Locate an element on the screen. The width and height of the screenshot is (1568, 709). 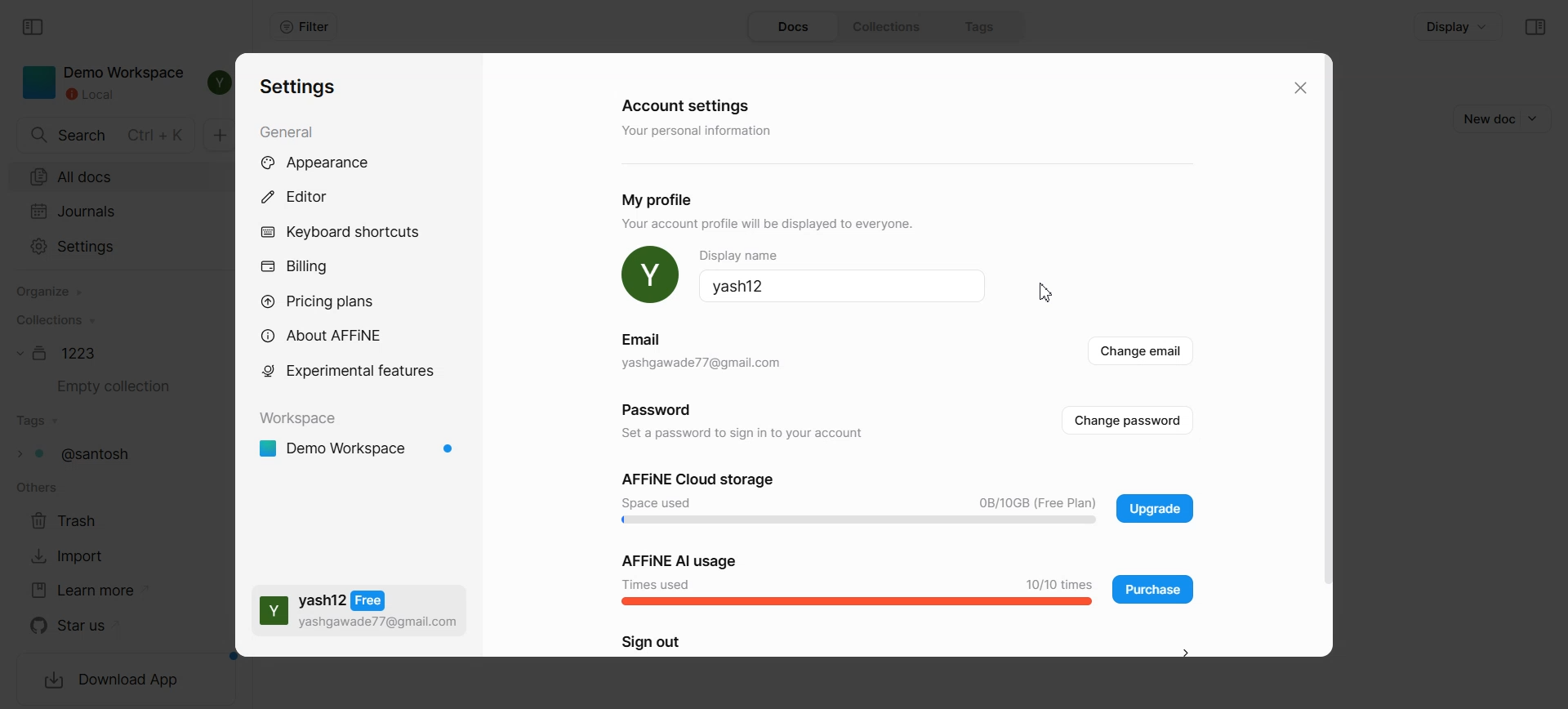
Import is located at coordinates (75, 555).